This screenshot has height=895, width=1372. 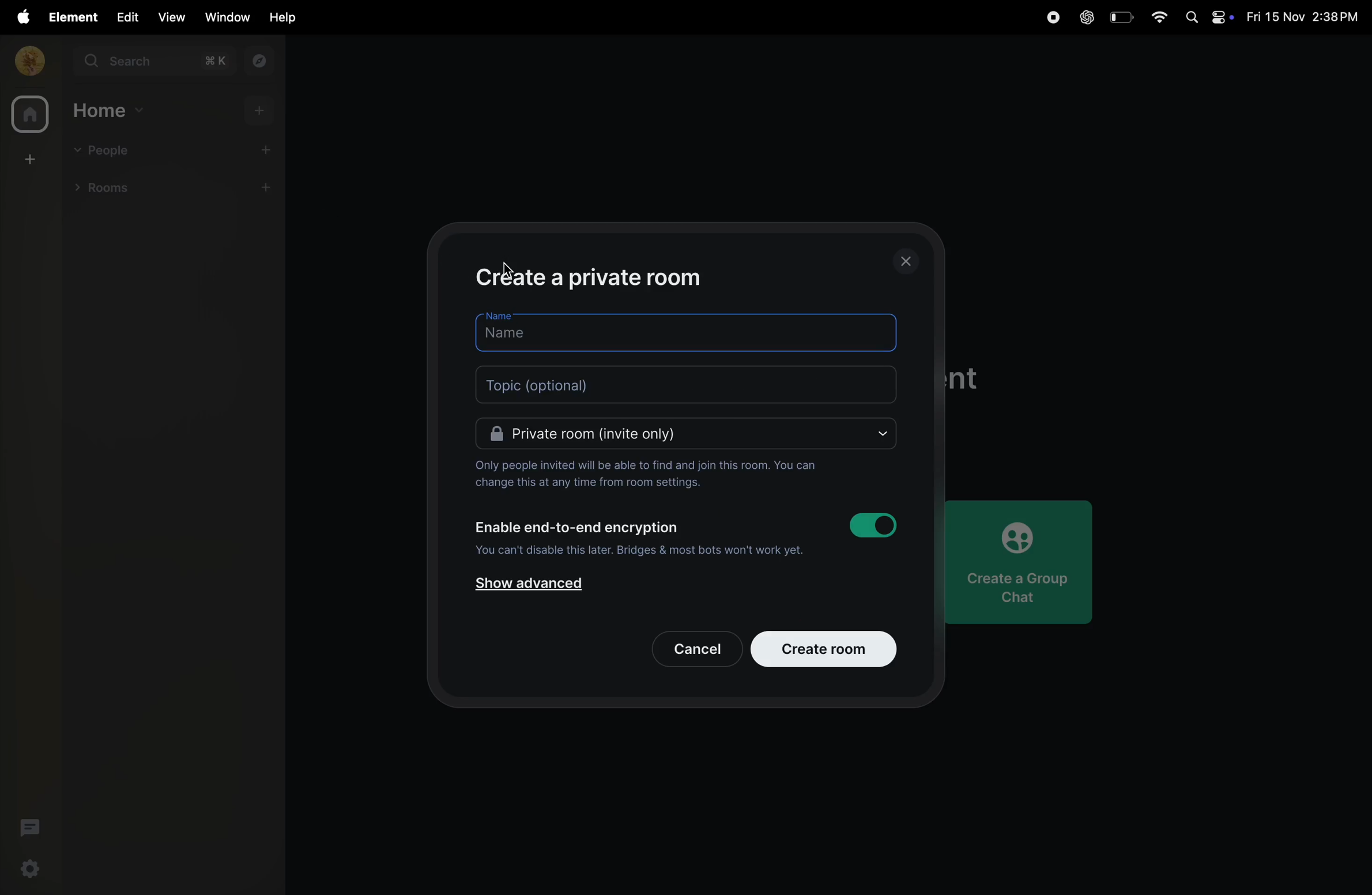 I want to click on topic, so click(x=689, y=385).